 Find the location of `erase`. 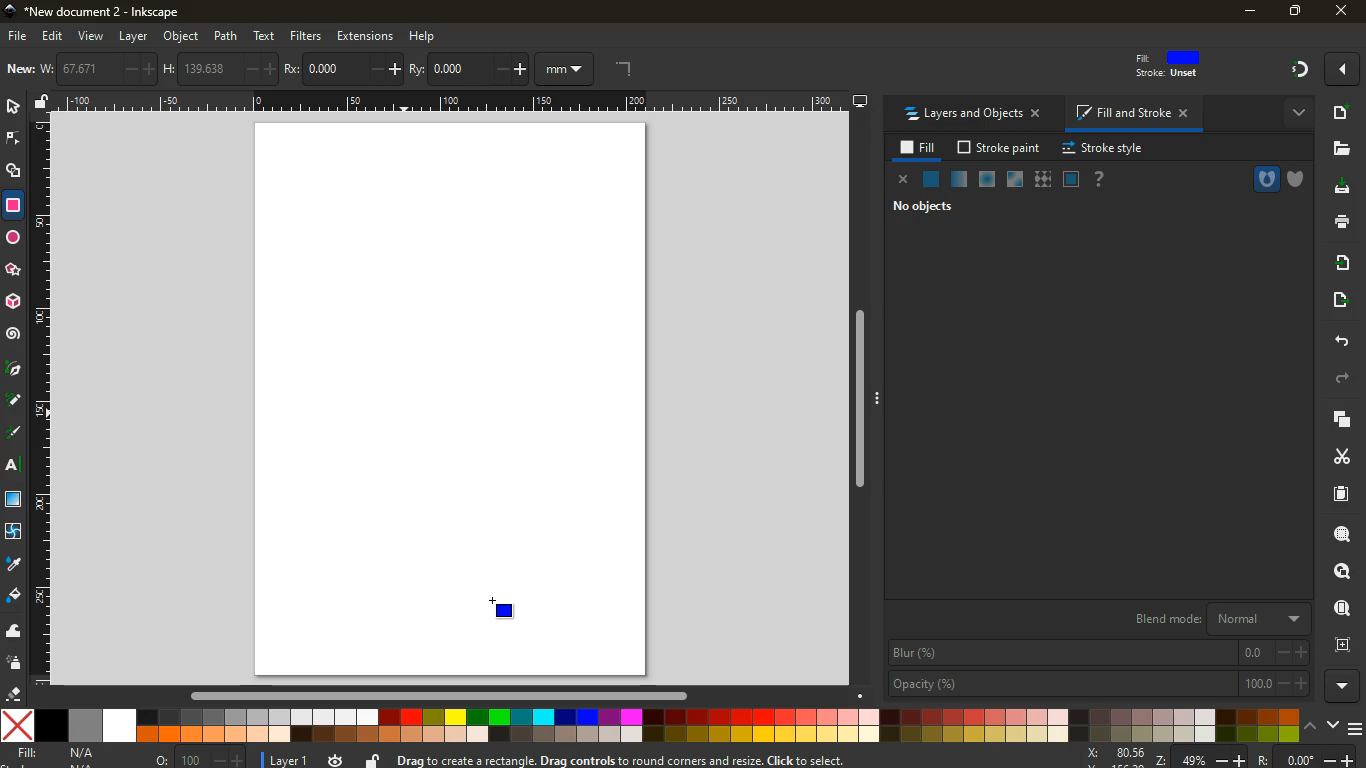

erase is located at coordinates (13, 693).